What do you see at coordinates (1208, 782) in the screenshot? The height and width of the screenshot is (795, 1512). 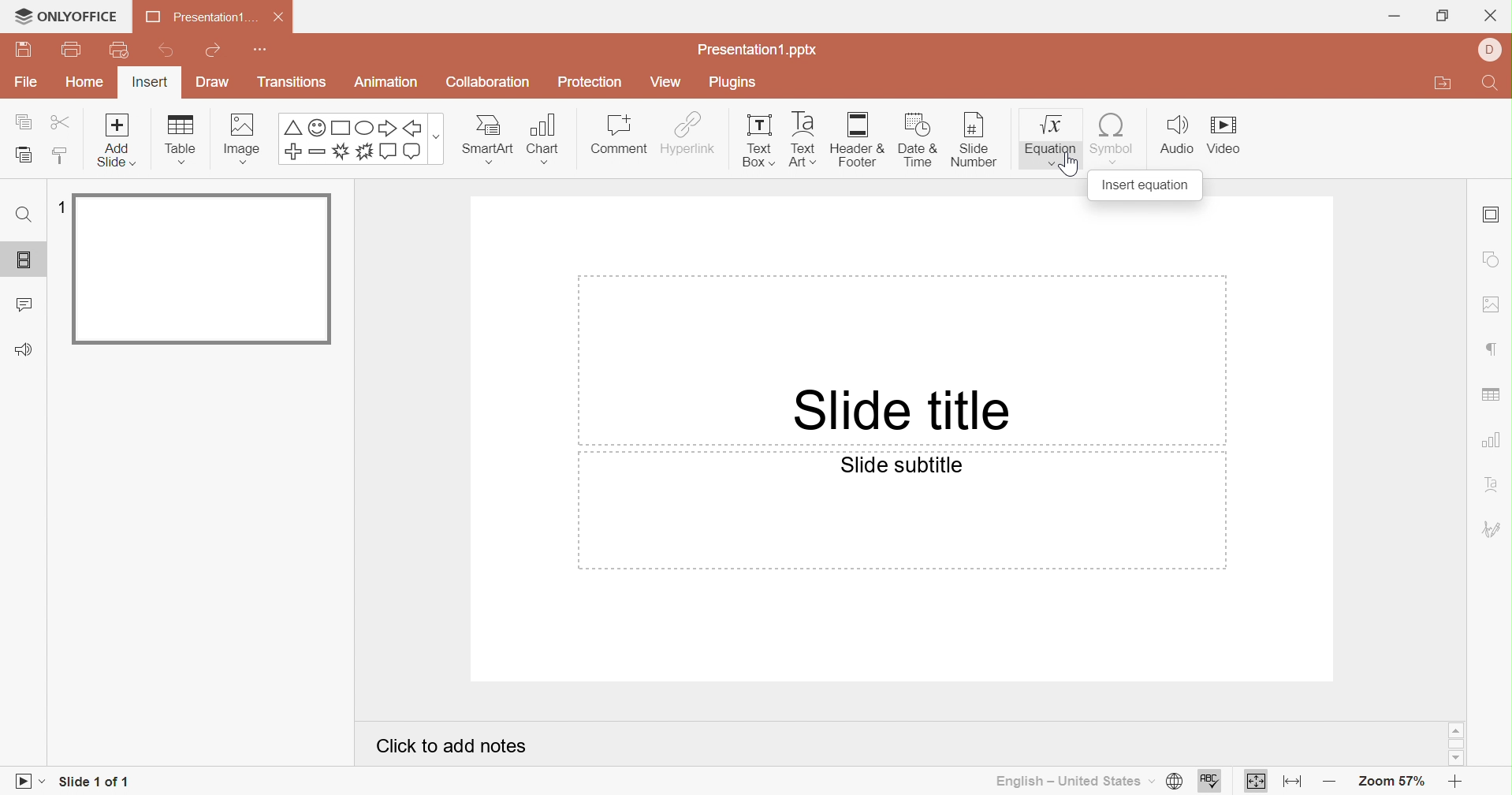 I see `Spell checking` at bounding box center [1208, 782].